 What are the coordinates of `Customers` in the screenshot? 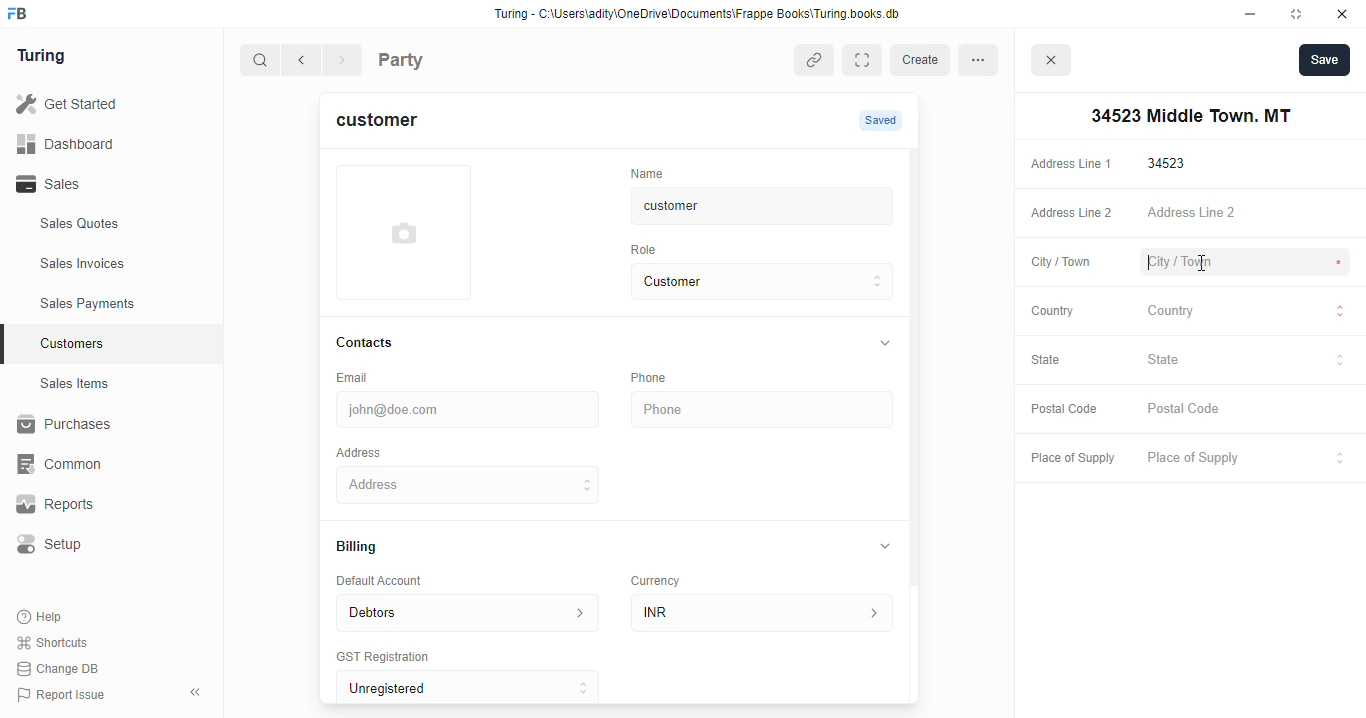 It's located at (123, 341).